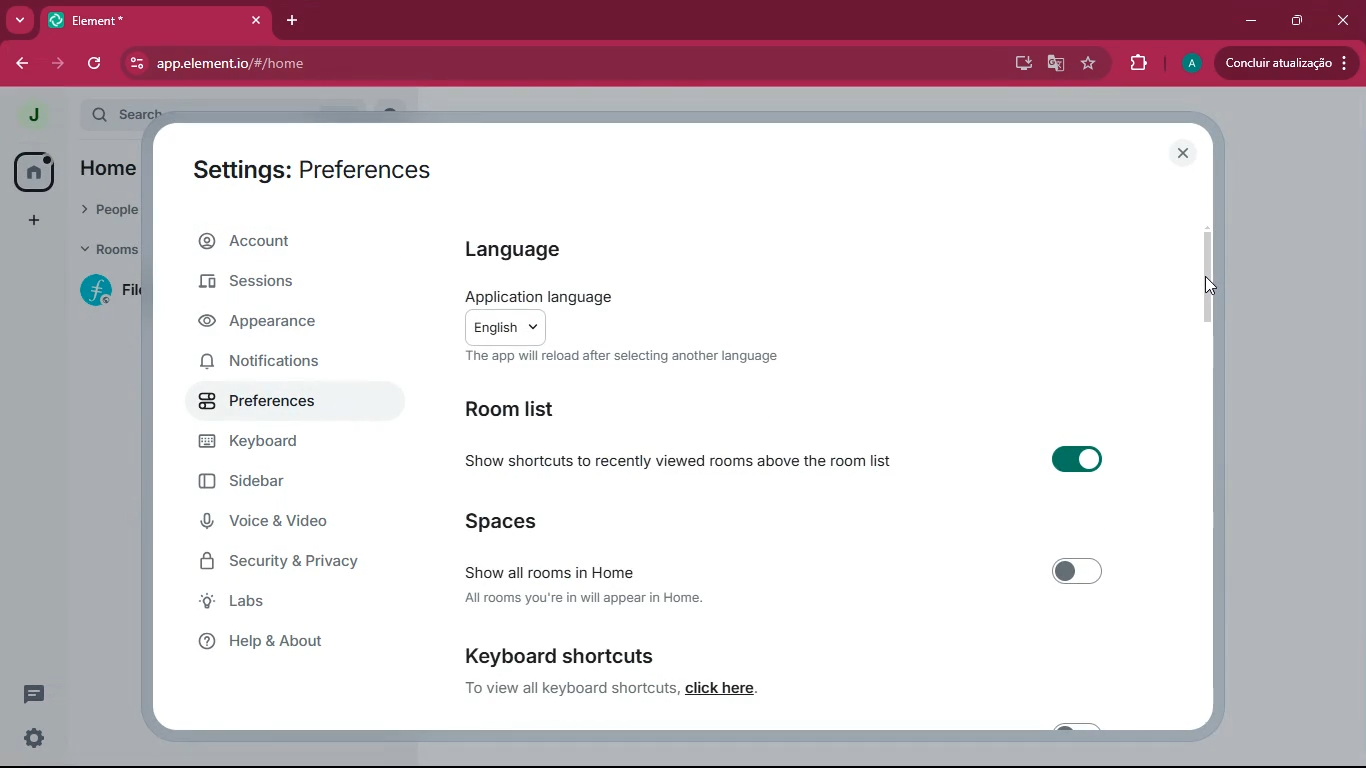  What do you see at coordinates (157, 20) in the screenshot?
I see `tab` at bounding box center [157, 20].